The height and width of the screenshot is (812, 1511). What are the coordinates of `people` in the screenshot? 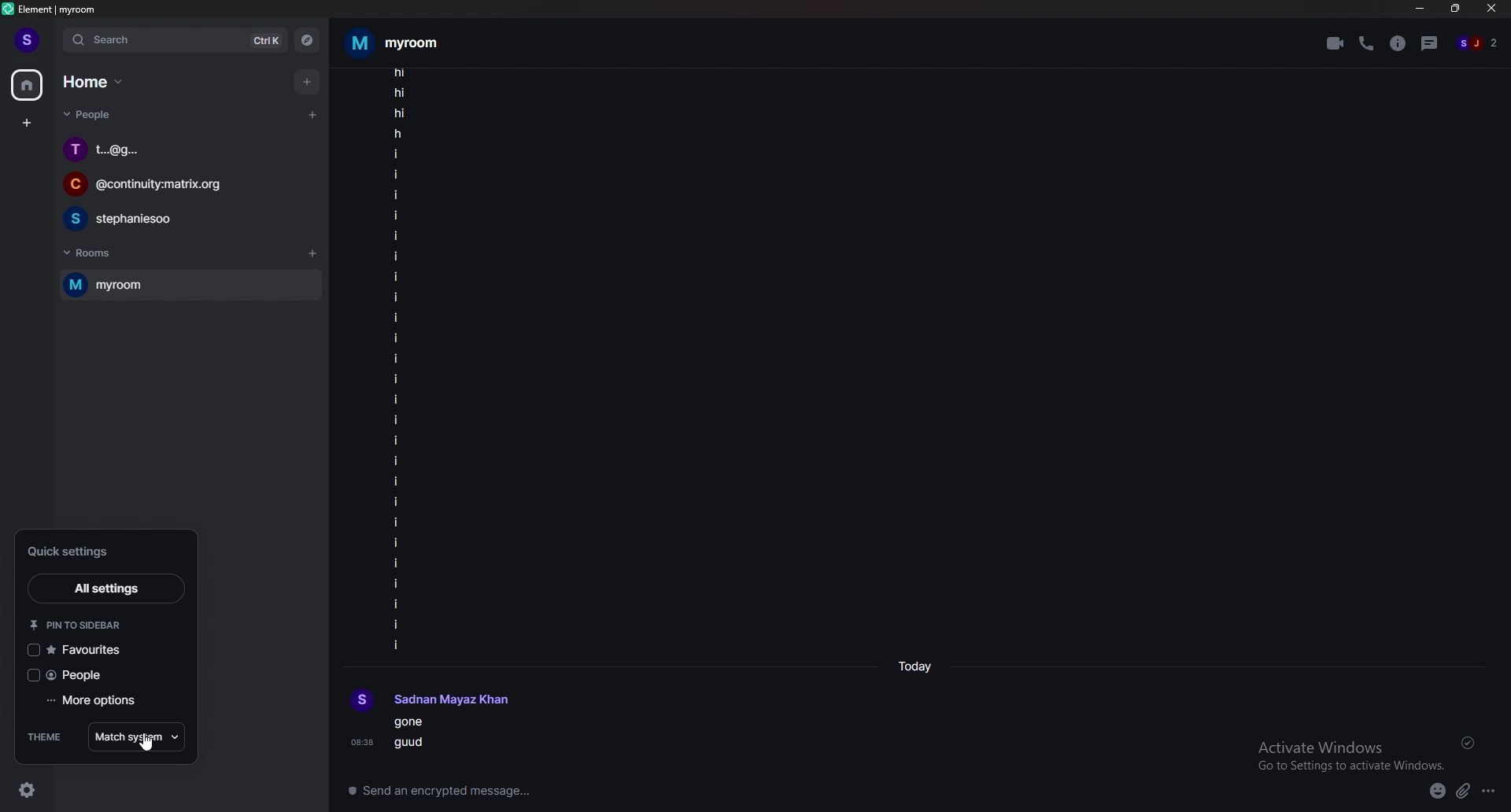 It's located at (100, 674).